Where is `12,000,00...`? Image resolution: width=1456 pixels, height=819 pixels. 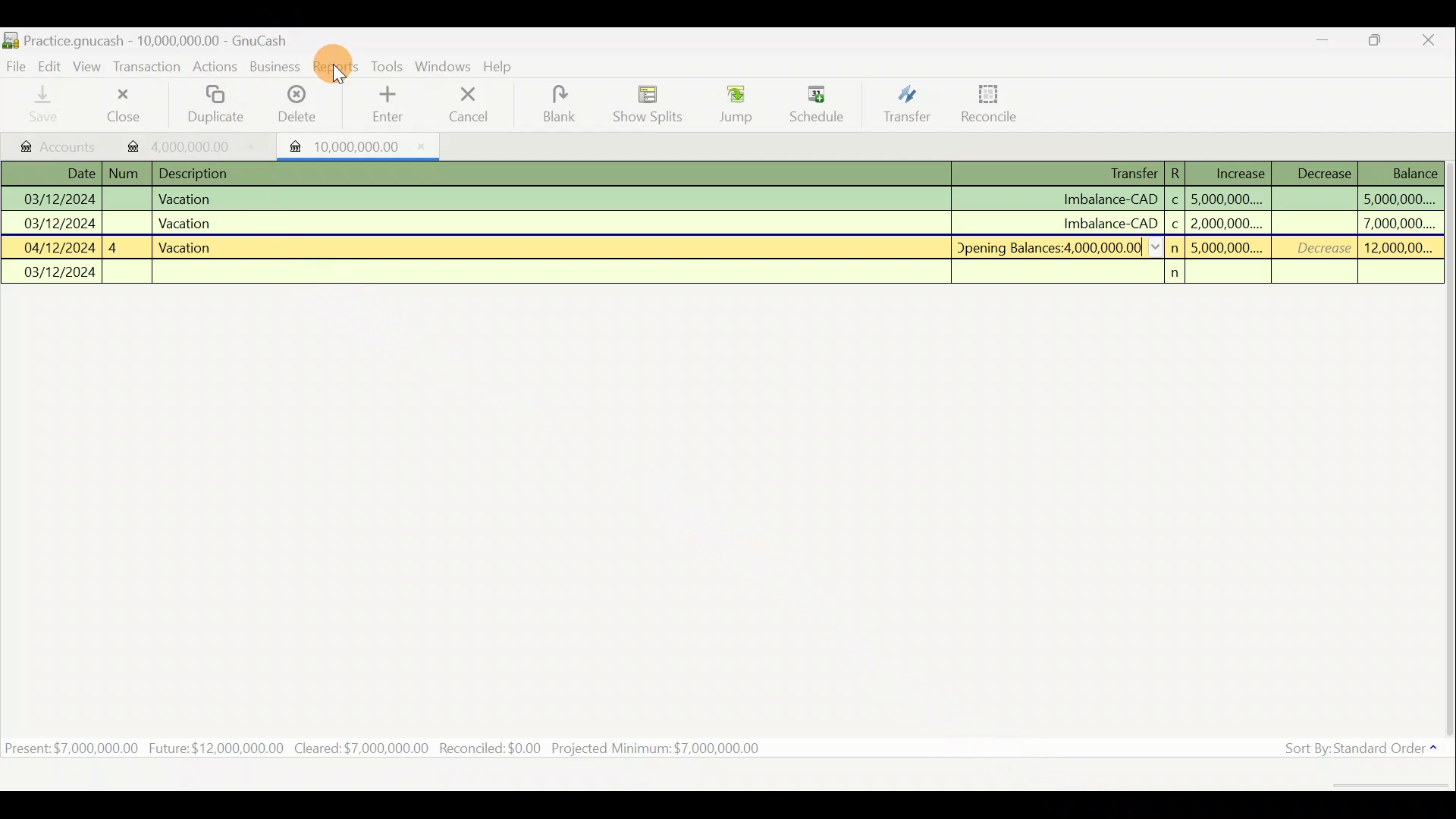 12,000,00... is located at coordinates (1399, 248).